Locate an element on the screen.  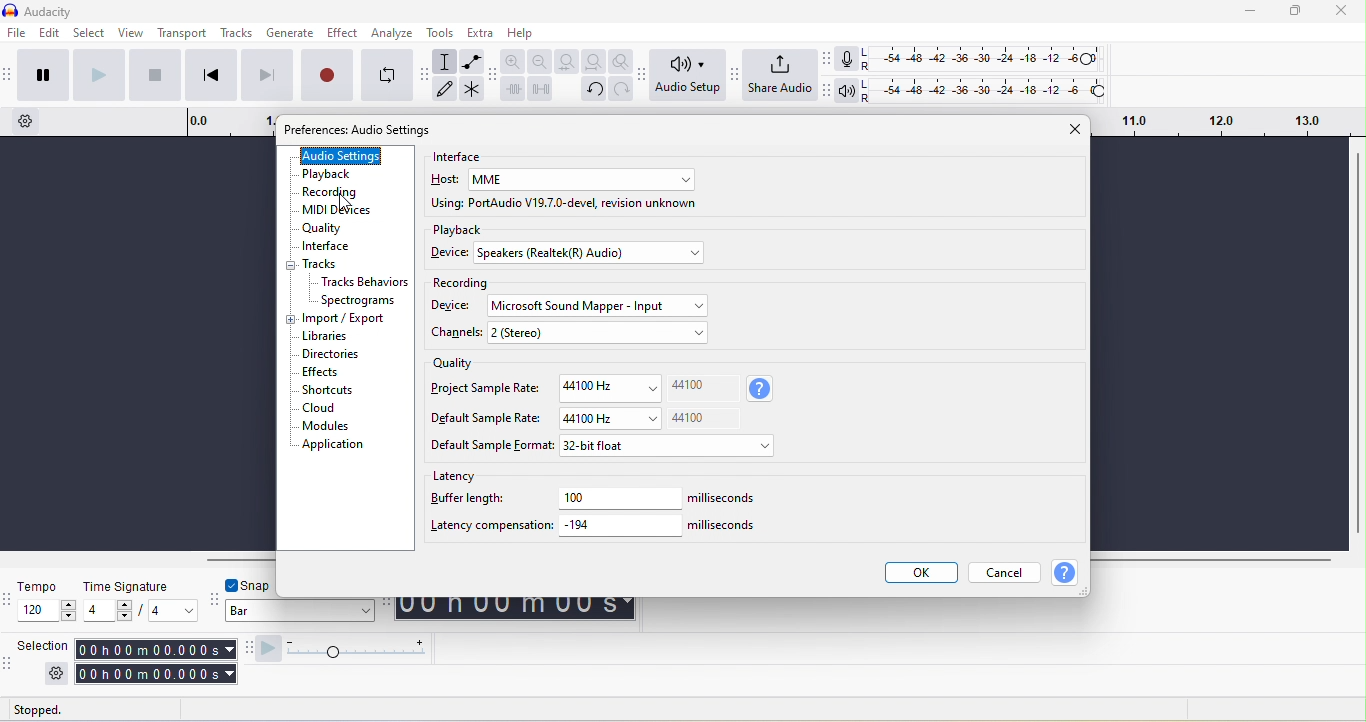
audacity edit toolbar is located at coordinates (494, 75).